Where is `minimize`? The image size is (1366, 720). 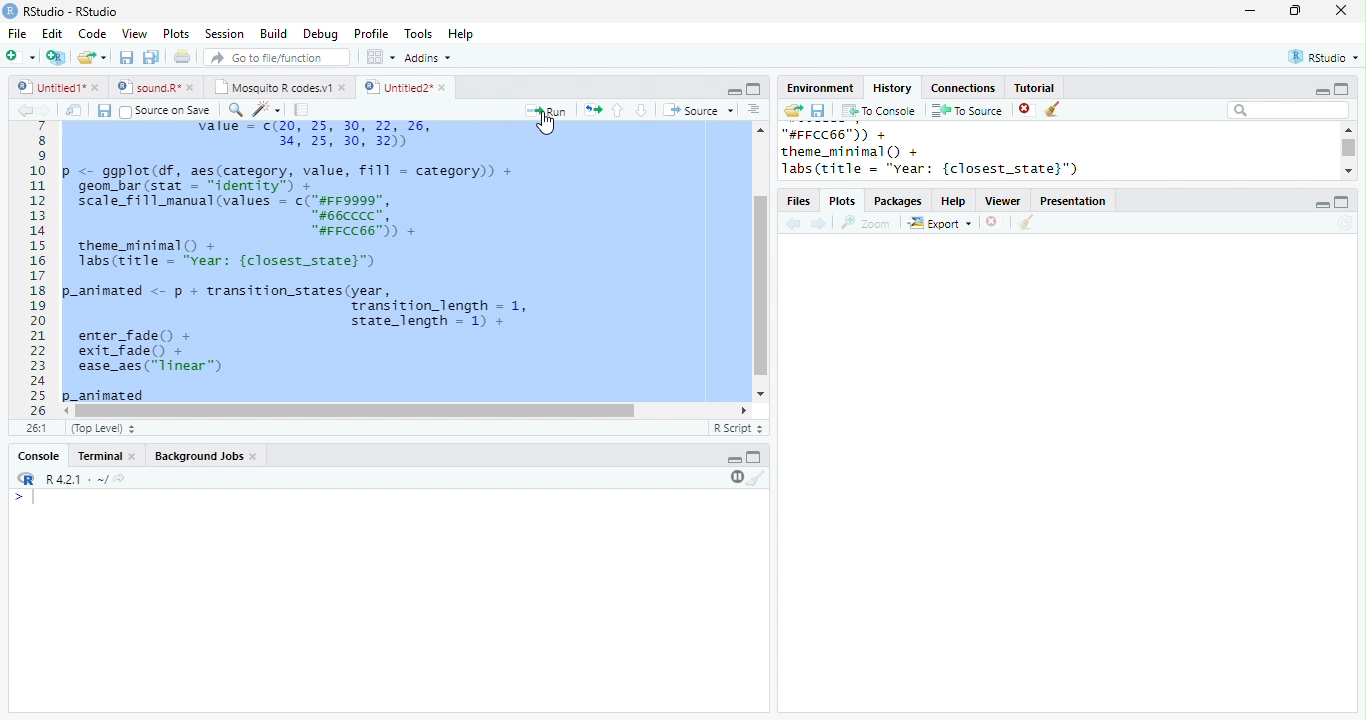
minimize is located at coordinates (1249, 11).